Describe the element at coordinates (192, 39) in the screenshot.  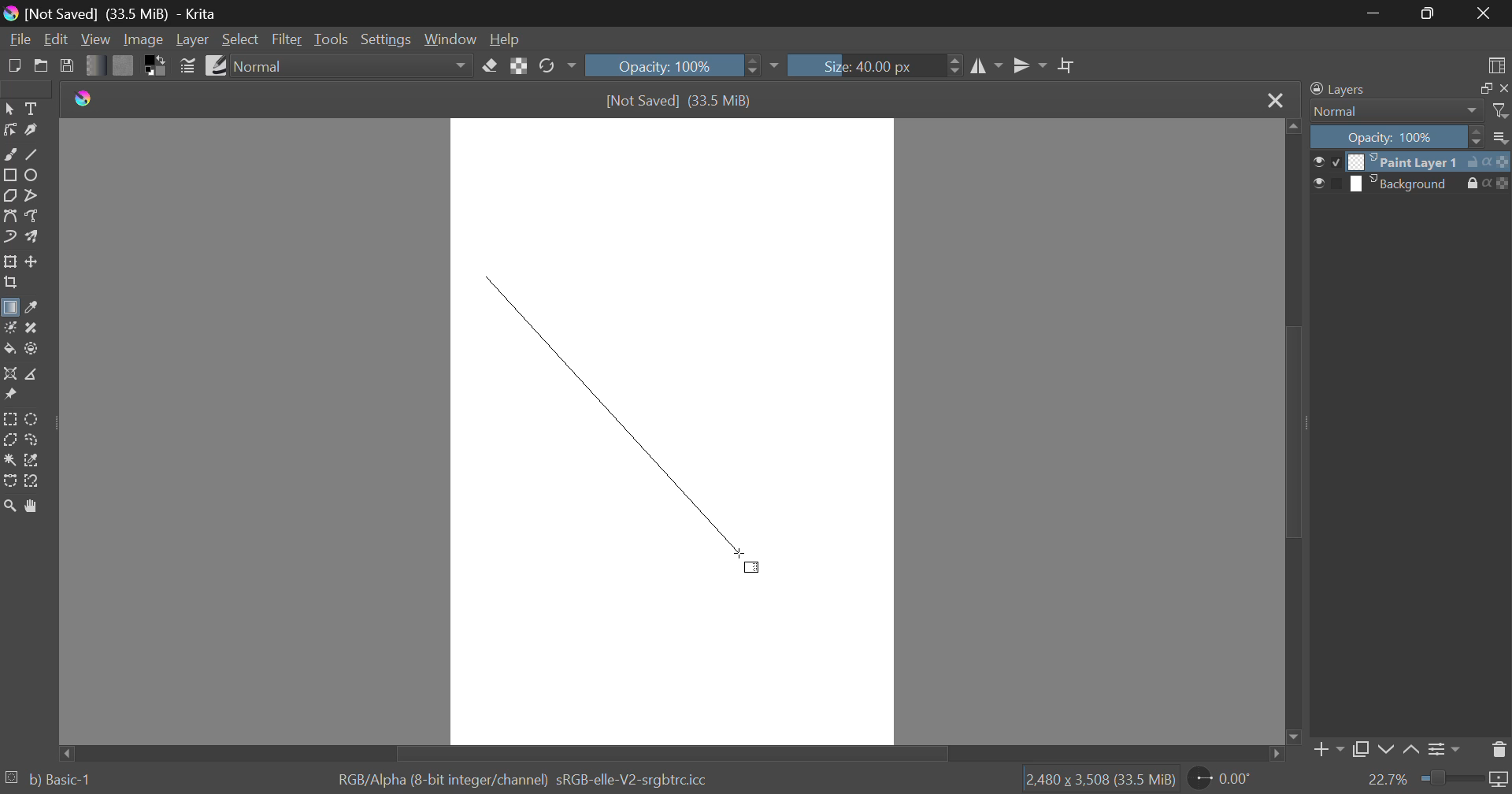
I see `Layer` at that location.